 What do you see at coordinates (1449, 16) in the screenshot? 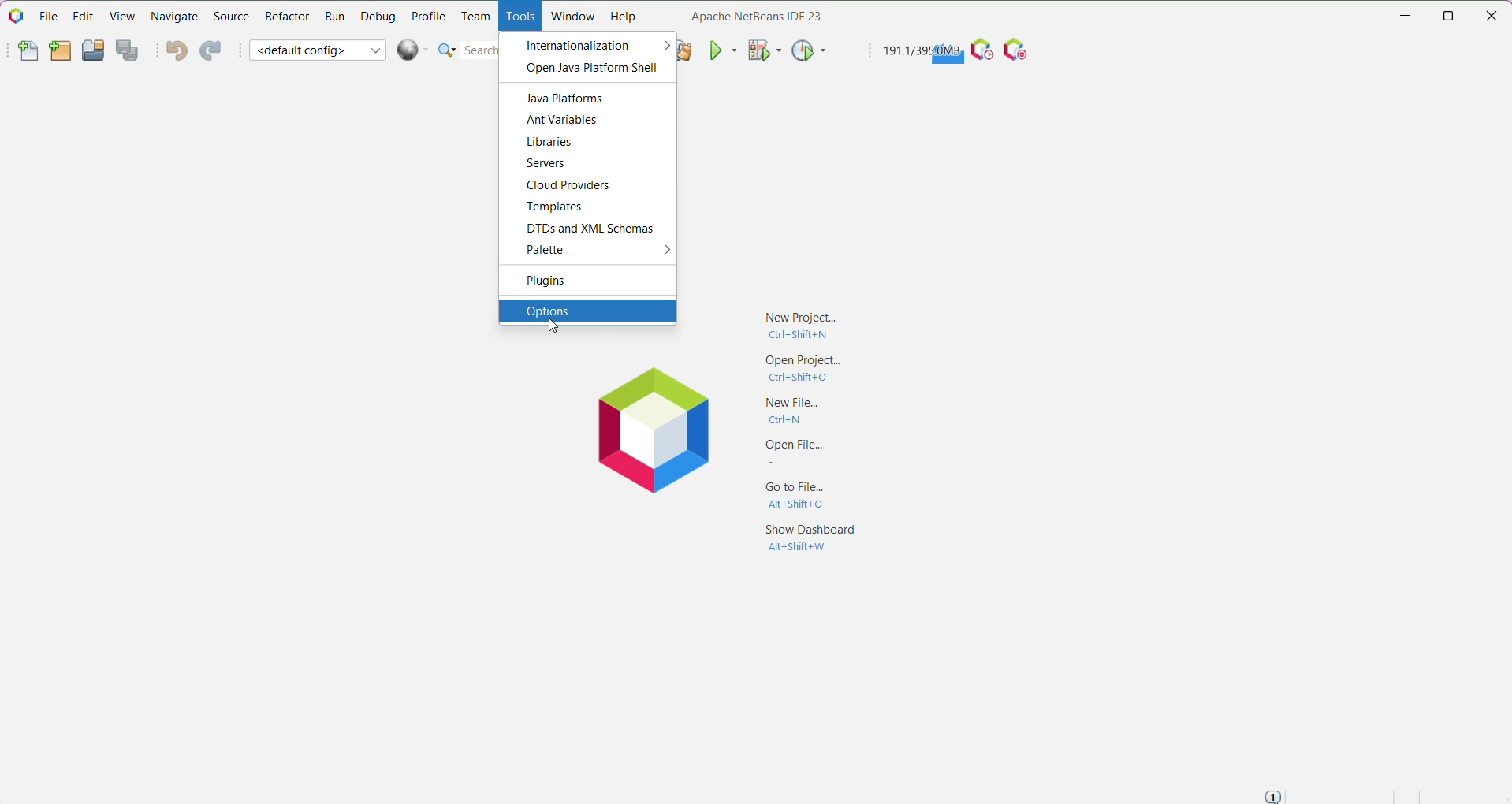
I see `Restore Down` at bounding box center [1449, 16].